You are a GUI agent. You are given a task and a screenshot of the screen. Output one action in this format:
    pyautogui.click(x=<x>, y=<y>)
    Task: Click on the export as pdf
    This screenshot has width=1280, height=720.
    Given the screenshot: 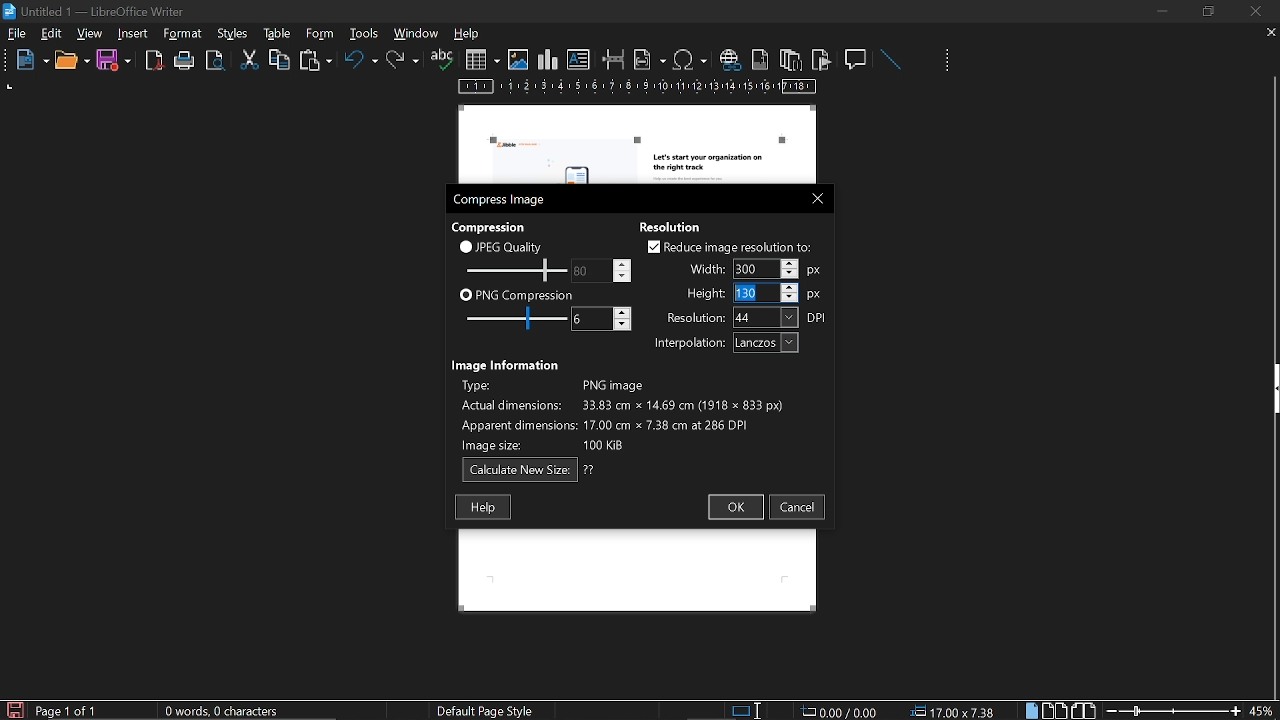 What is the action you would take?
    pyautogui.click(x=155, y=61)
    